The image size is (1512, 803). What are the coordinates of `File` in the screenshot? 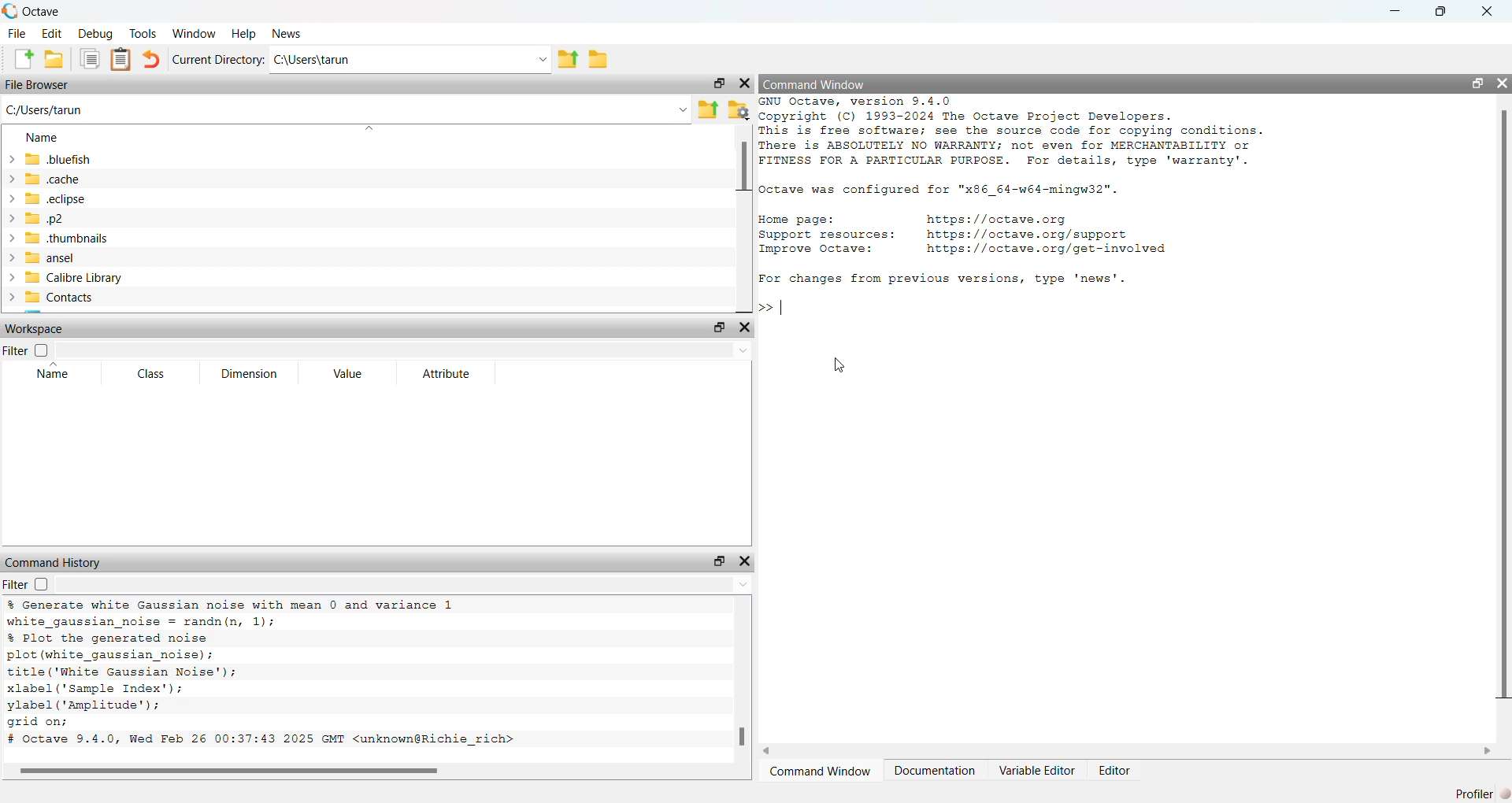 It's located at (16, 34).